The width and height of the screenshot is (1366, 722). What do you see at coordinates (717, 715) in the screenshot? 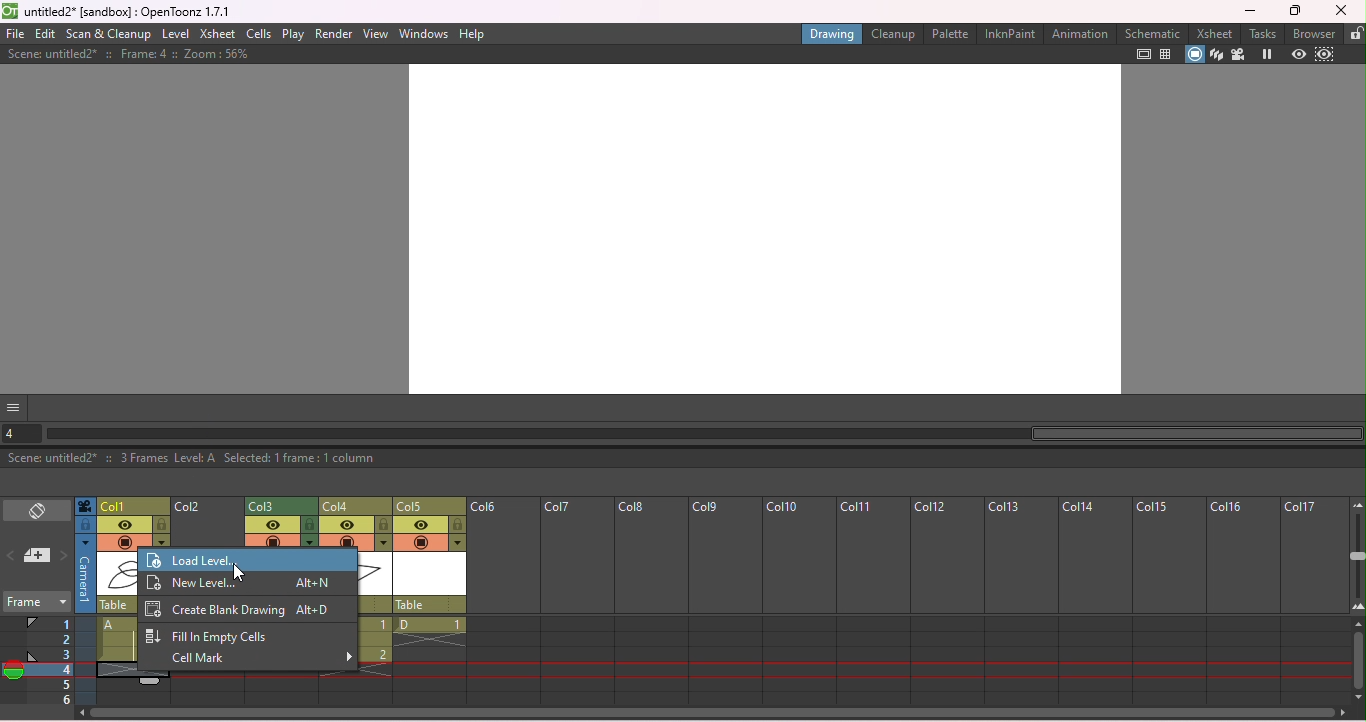
I see `Horizontal scroll bar` at bounding box center [717, 715].